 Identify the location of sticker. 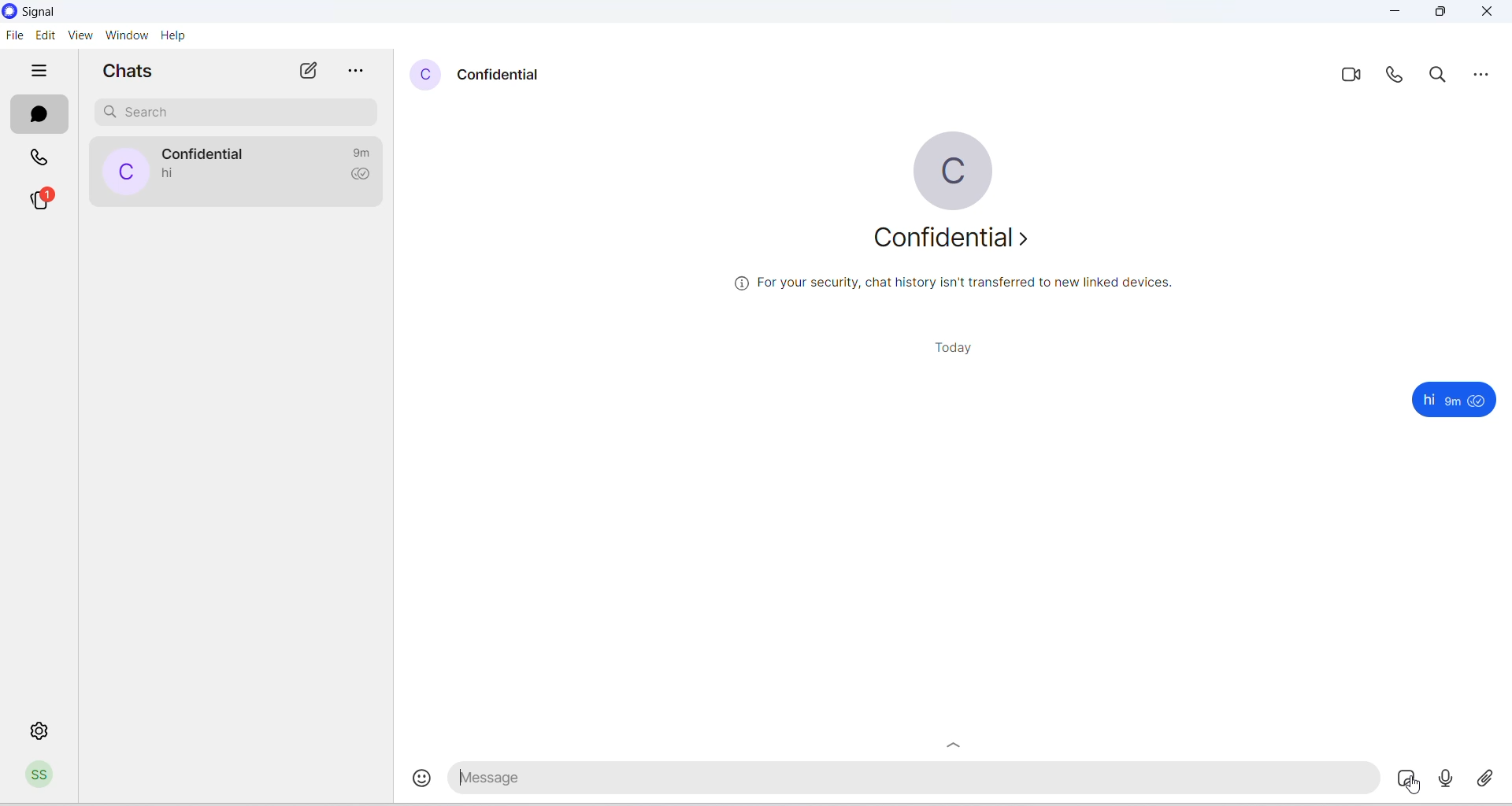
(1410, 780).